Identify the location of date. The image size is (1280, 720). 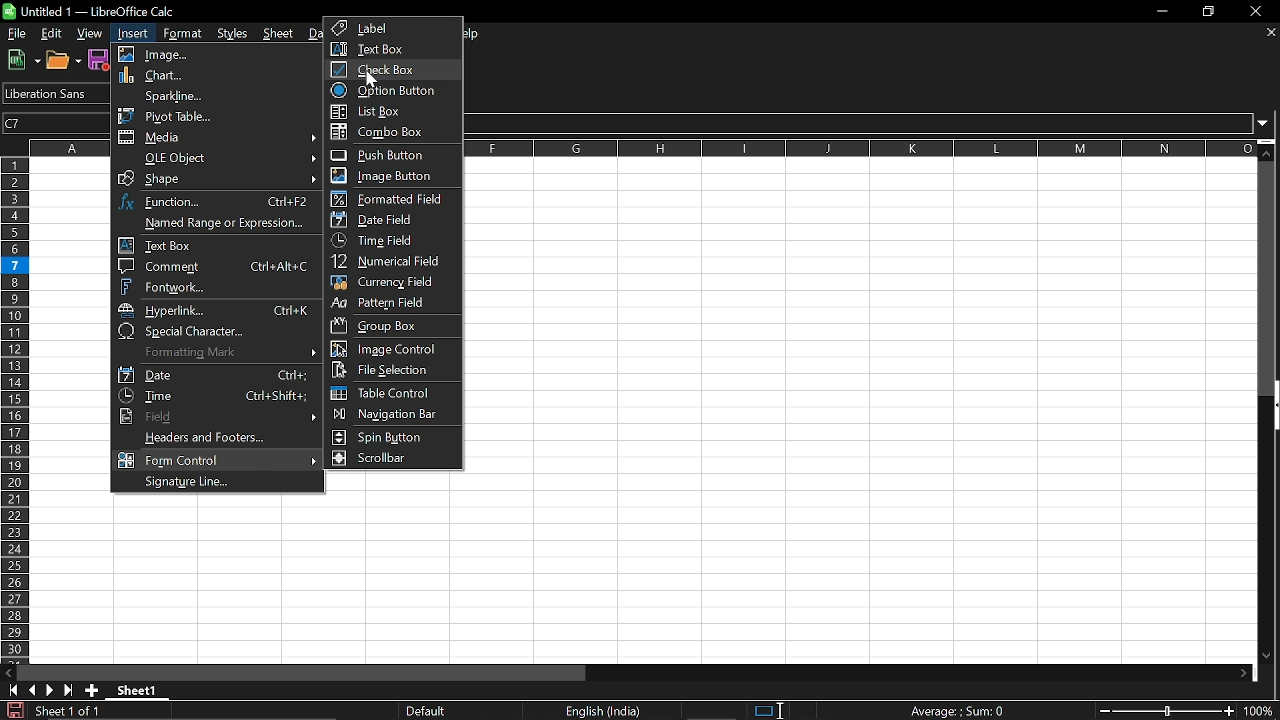
(215, 375).